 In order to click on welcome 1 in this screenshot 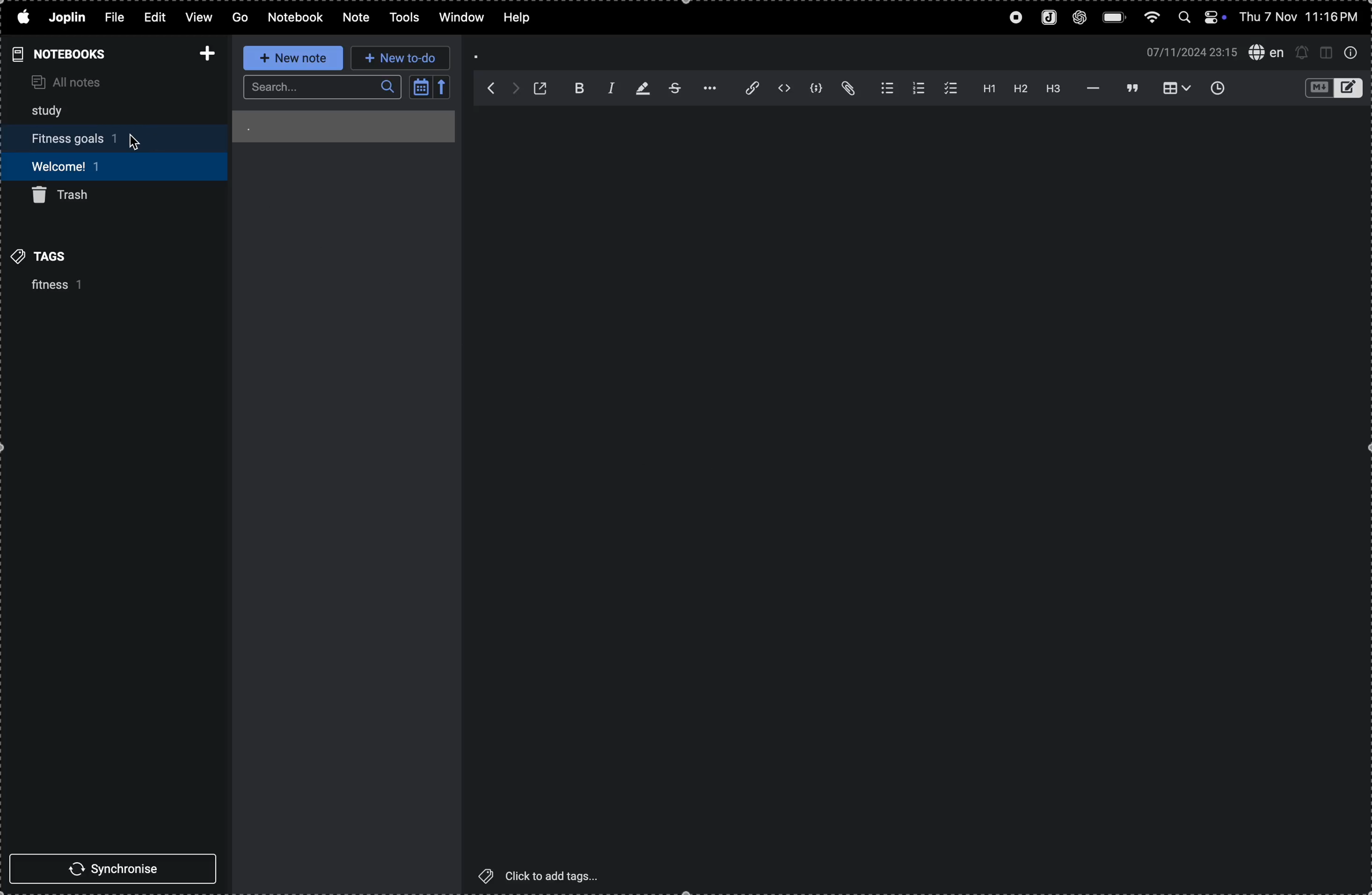, I will do `click(107, 166)`.